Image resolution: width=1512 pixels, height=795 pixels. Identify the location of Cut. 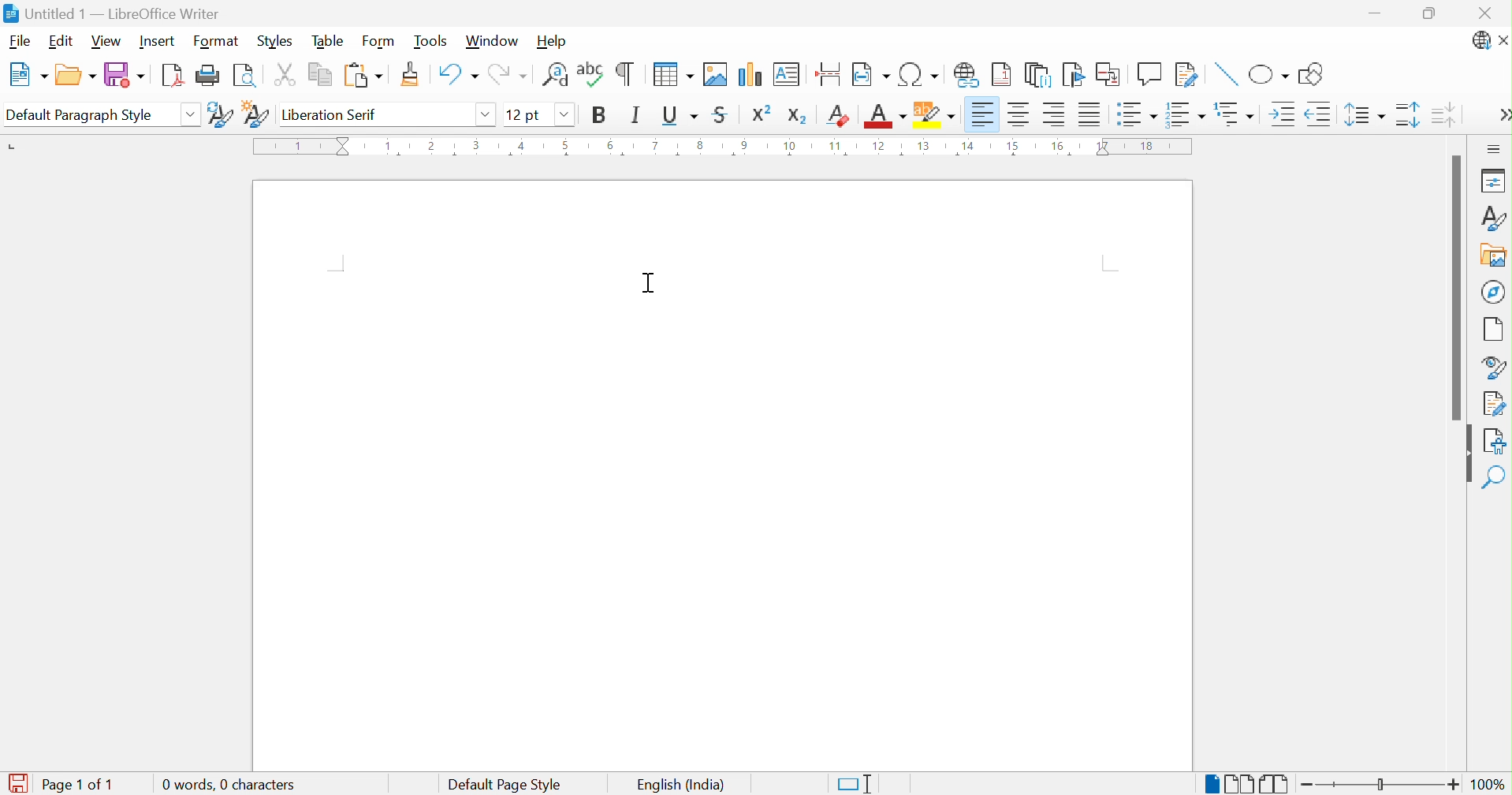
(285, 73).